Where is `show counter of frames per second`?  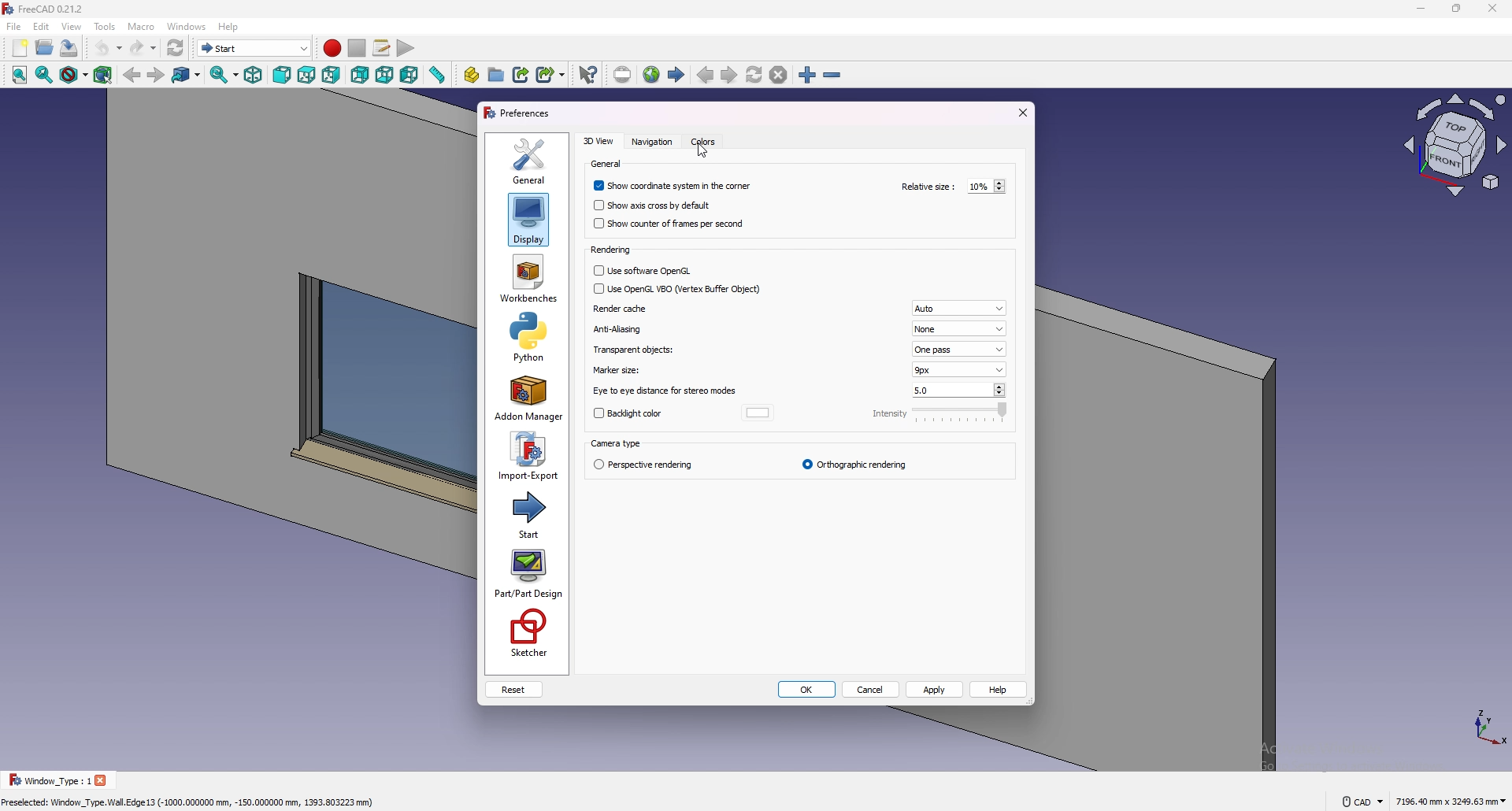 show counter of frames per second is located at coordinates (672, 223).